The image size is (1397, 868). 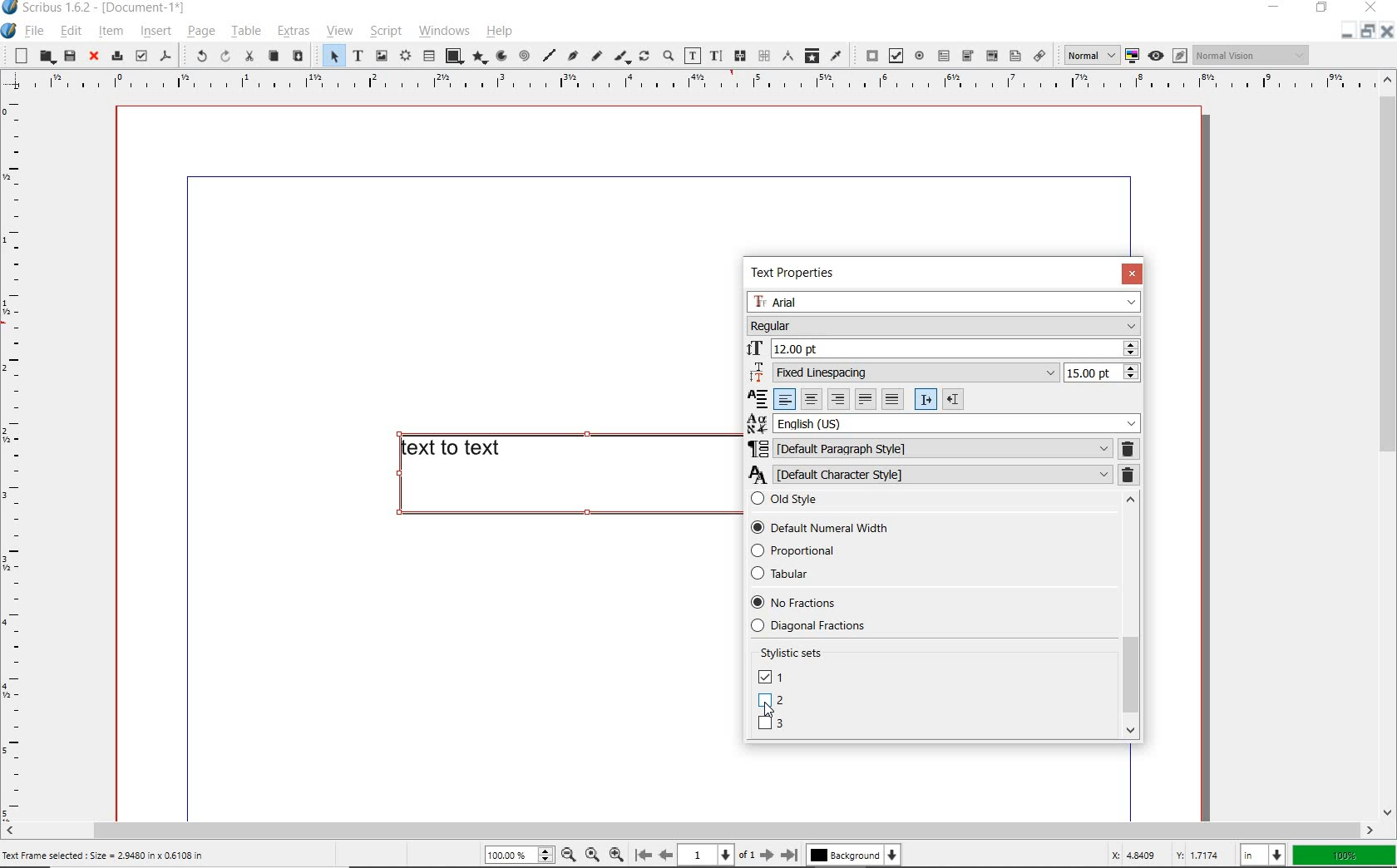 What do you see at coordinates (23, 458) in the screenshot?
I see `Horizontal page margin` at bounding box center [23, 458].